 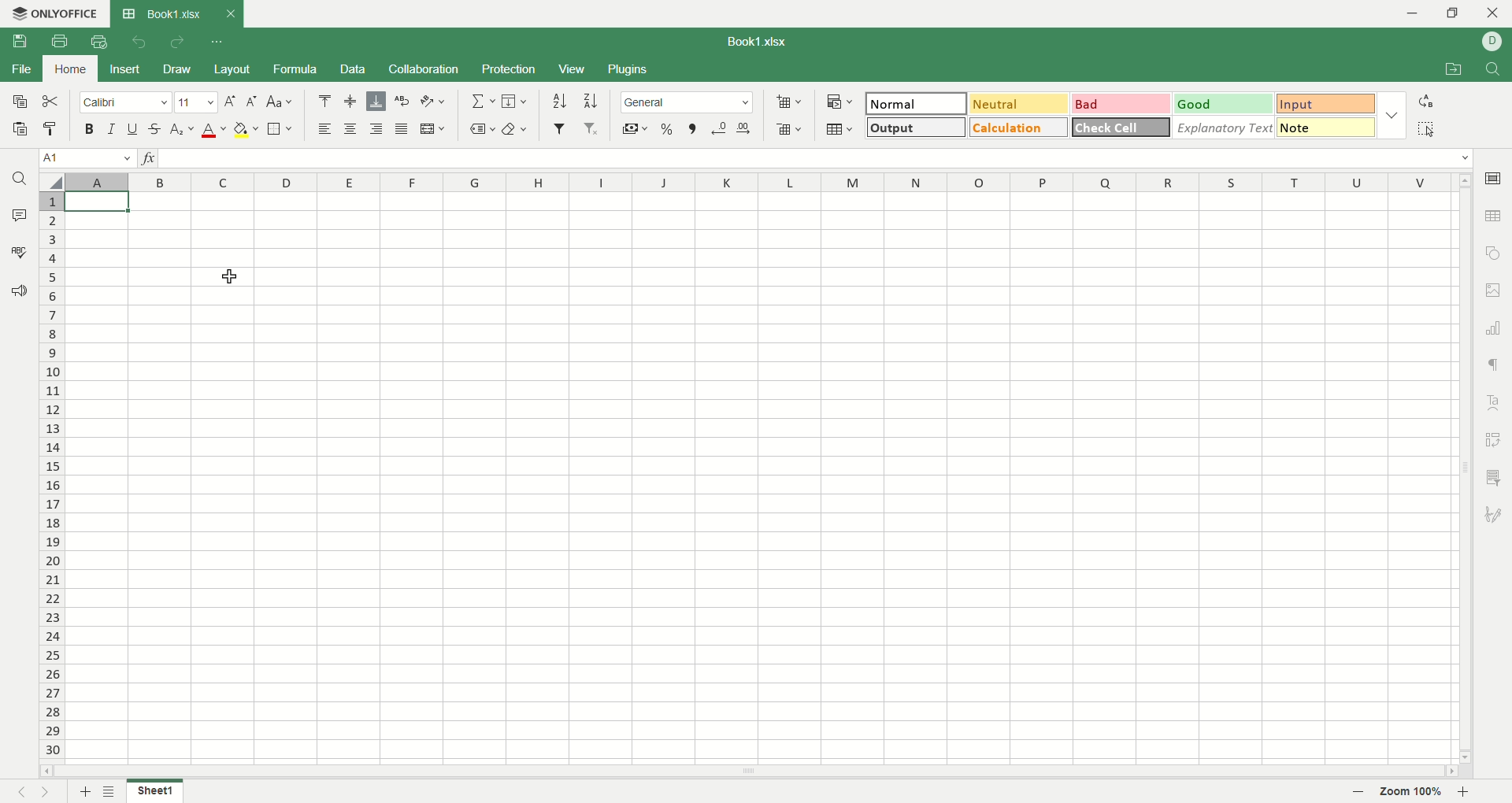 What do you see at coordinates (176, 13) in the screenshot?
I see `Book1.xslx title` at bounding box center [176, 13].